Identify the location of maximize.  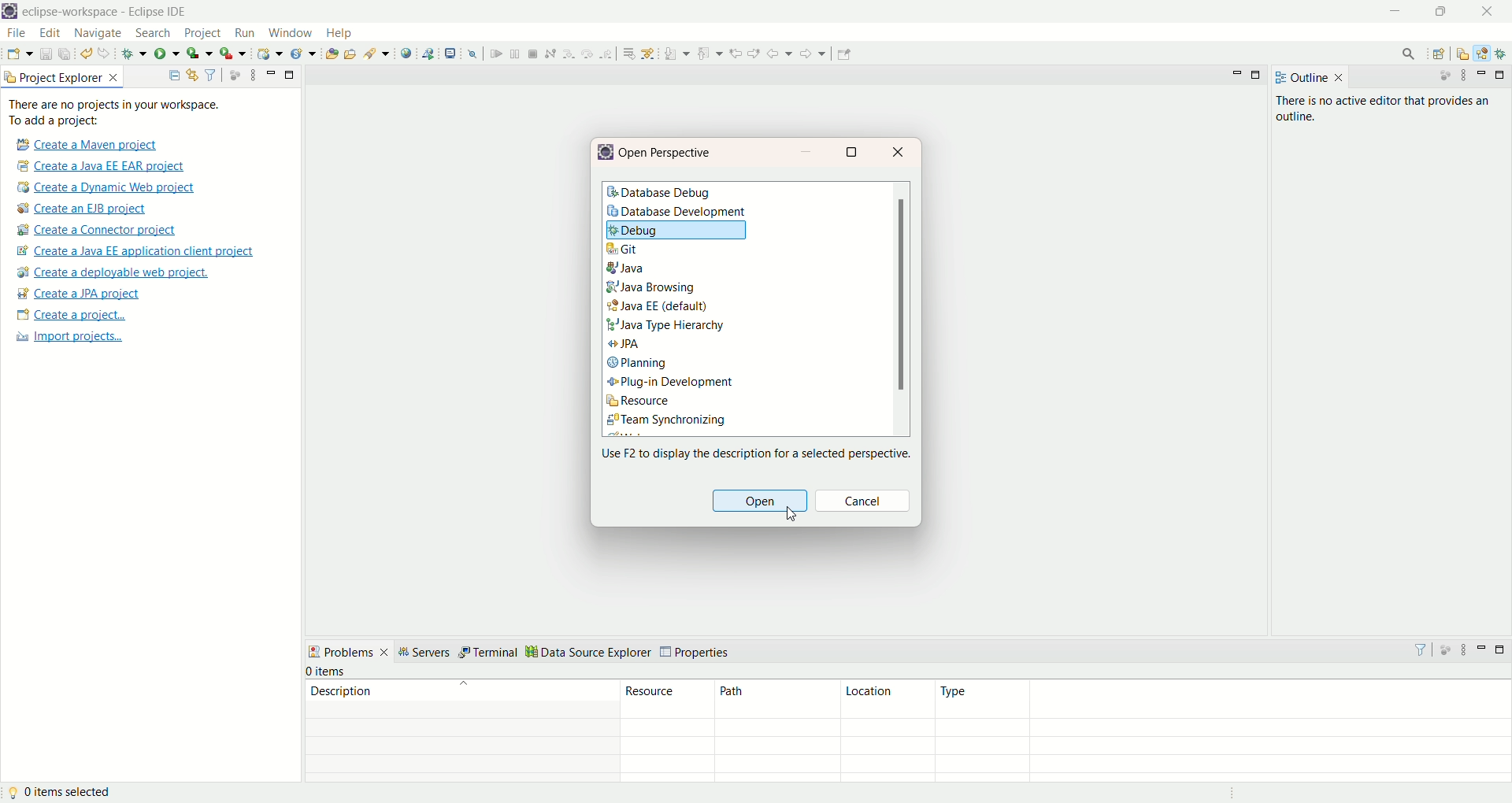
(1442, 13).